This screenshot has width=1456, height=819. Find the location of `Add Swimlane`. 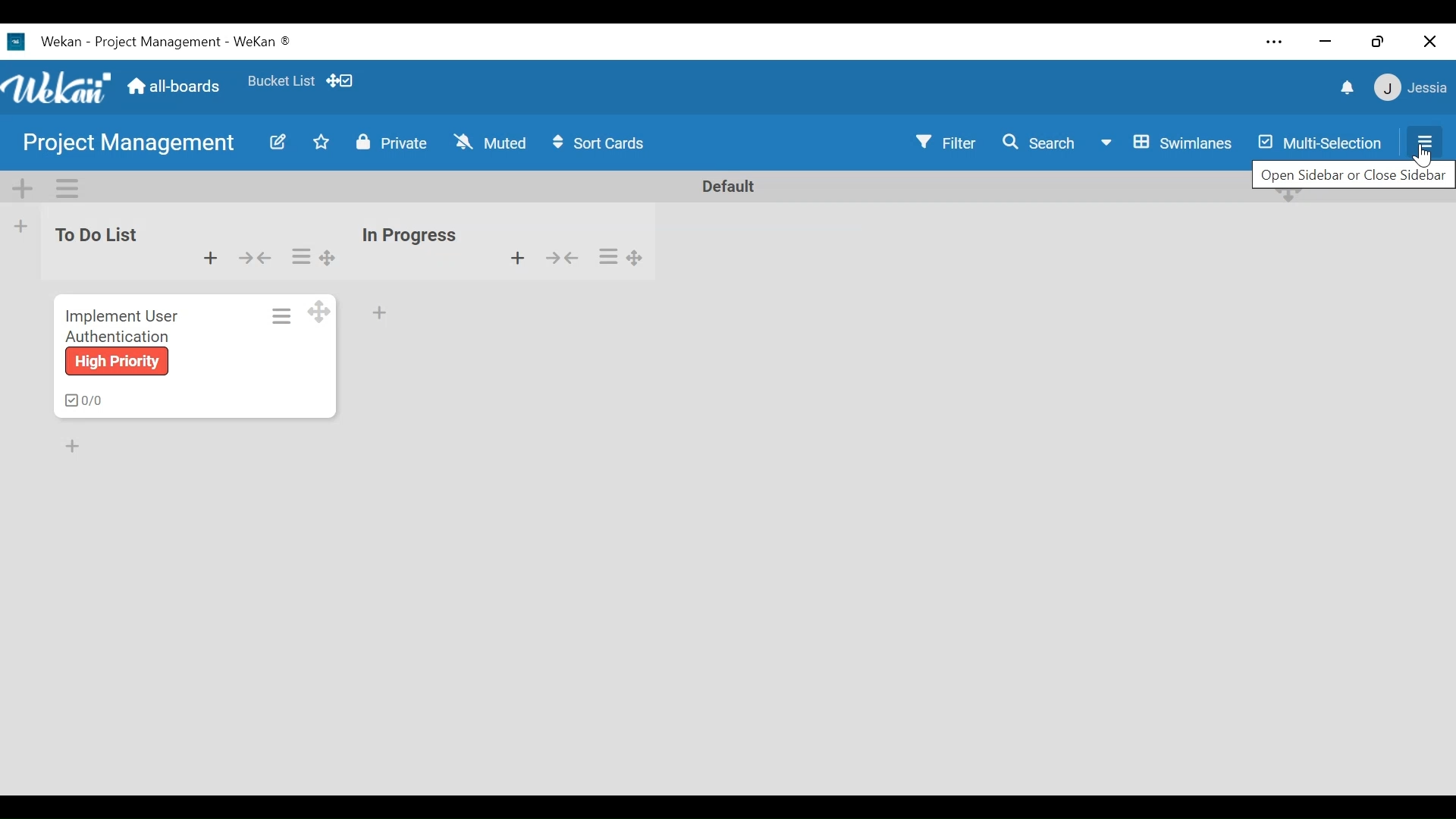

Add Swimlane is located at coordinates (24, 187).